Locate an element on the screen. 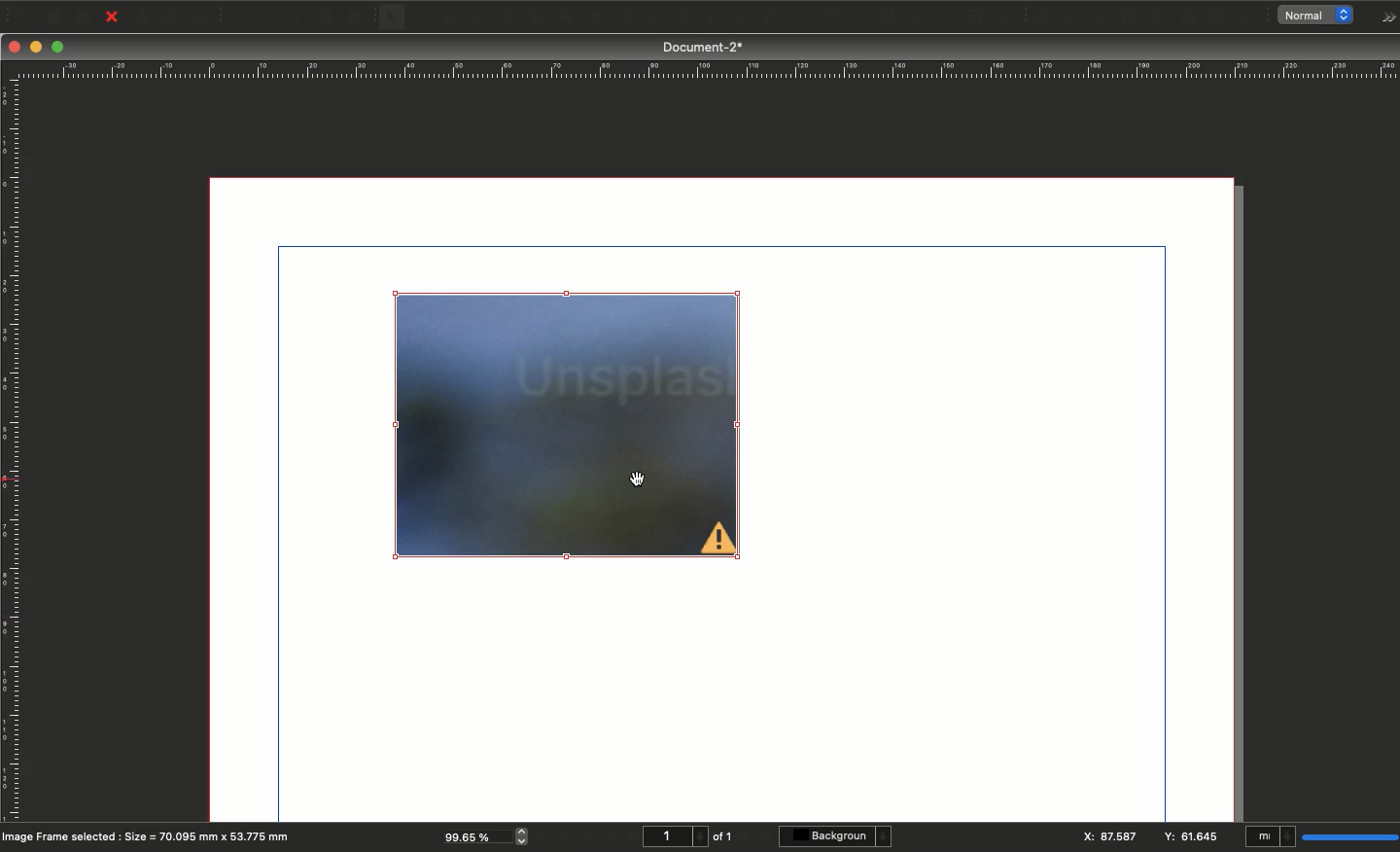  PDF push button is located at coordinates (1040, 17).